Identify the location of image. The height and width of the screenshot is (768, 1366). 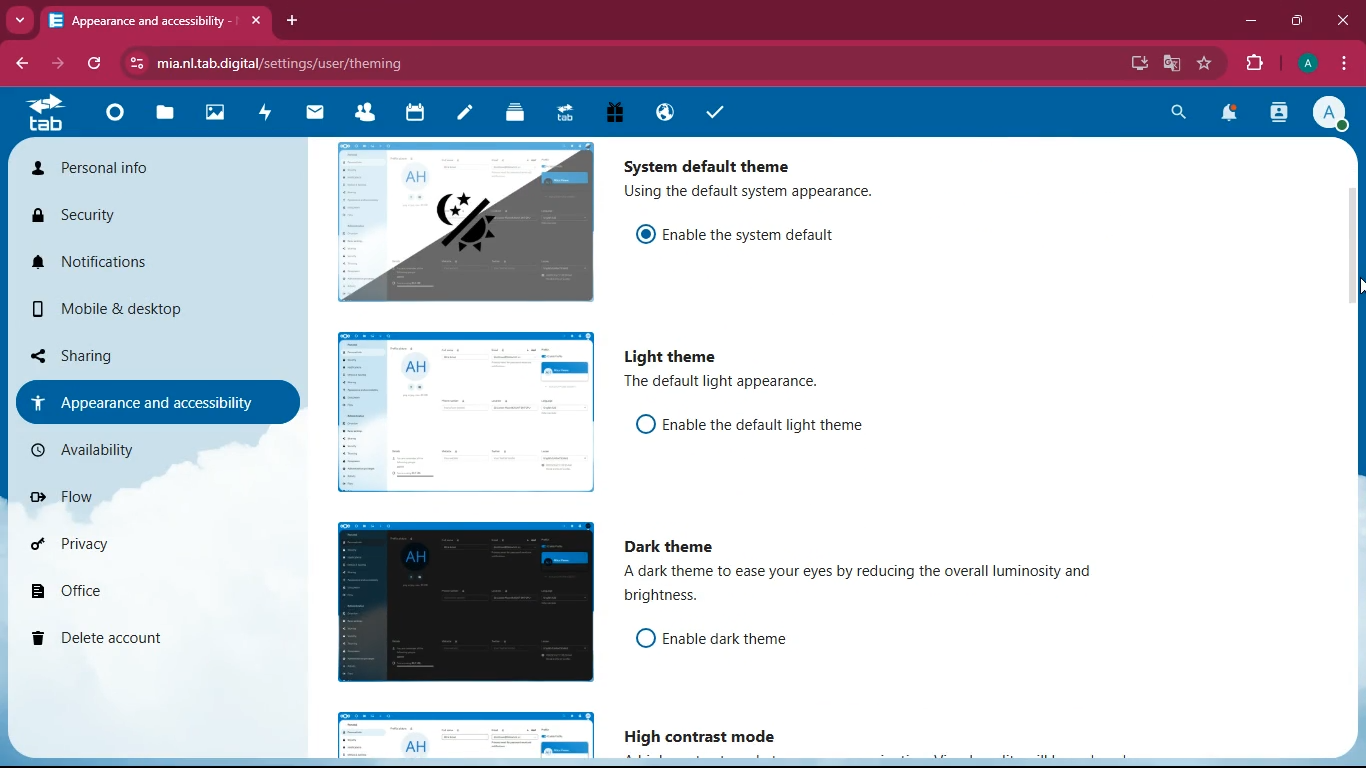
(468, 736).